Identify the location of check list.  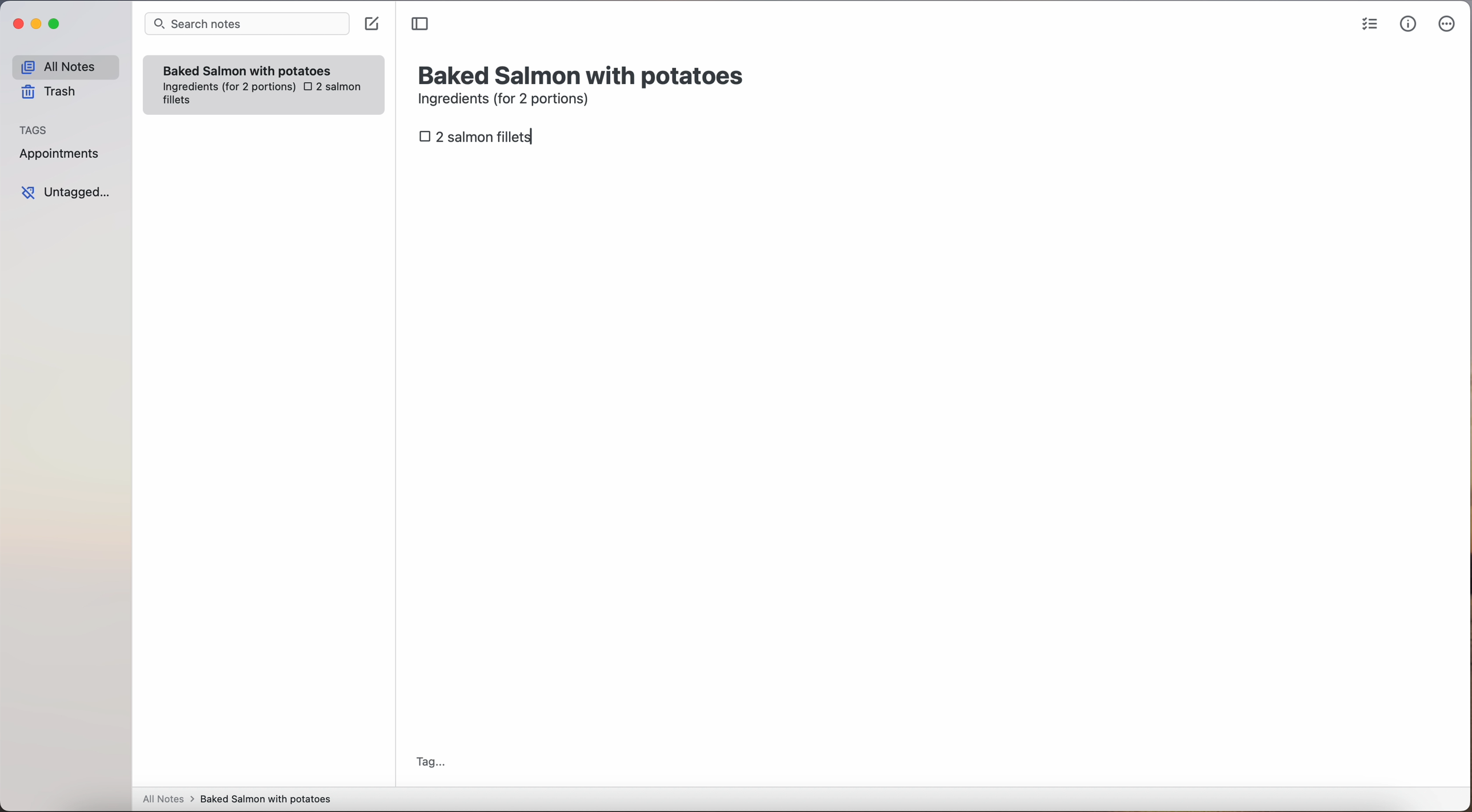
(1370, 25).